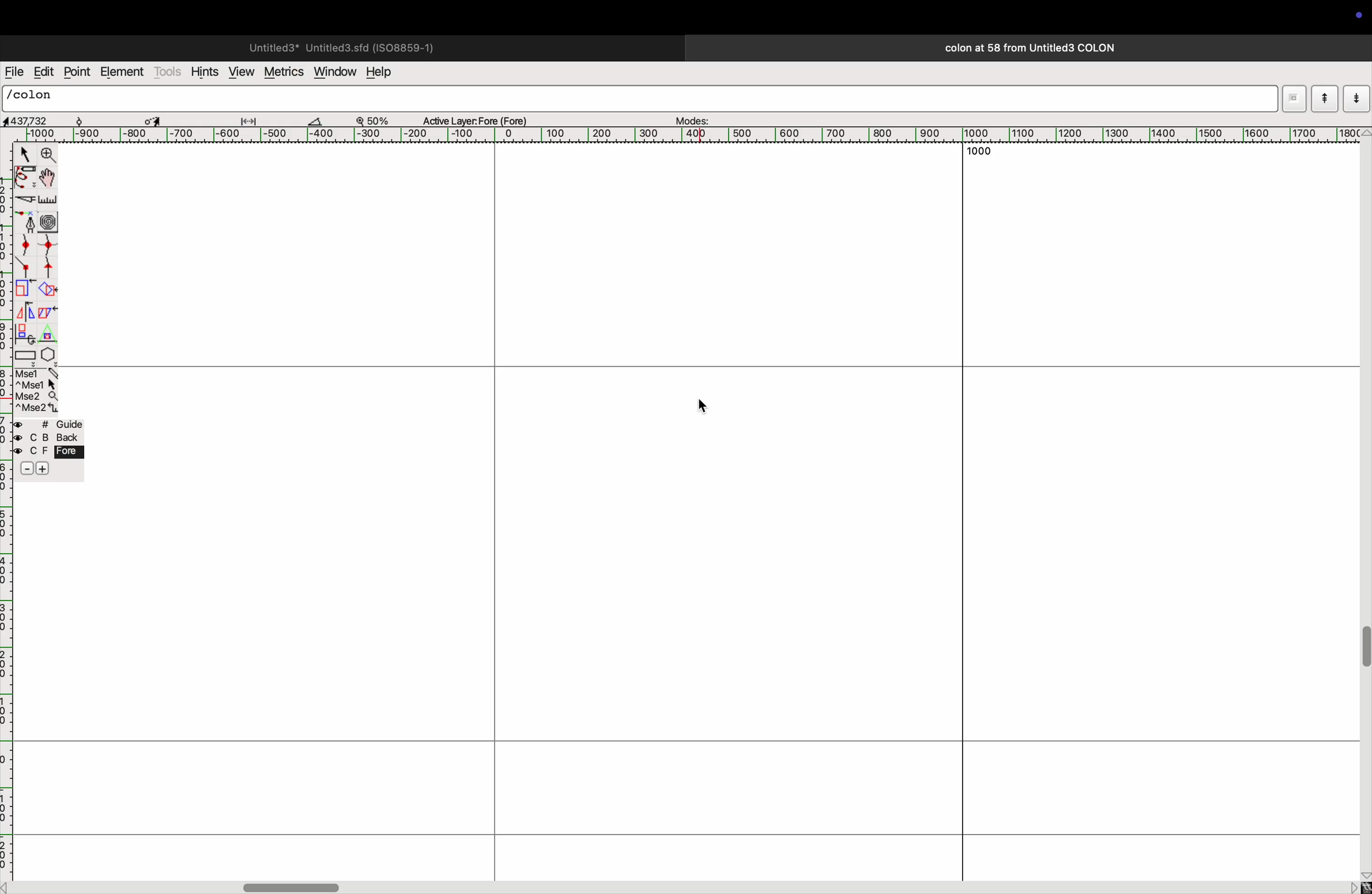 This screenshot has height=894, width=1372. What do you see at coordinates (333, 73) in the screenshot?
I see `window` at bounding box center [333, 73].